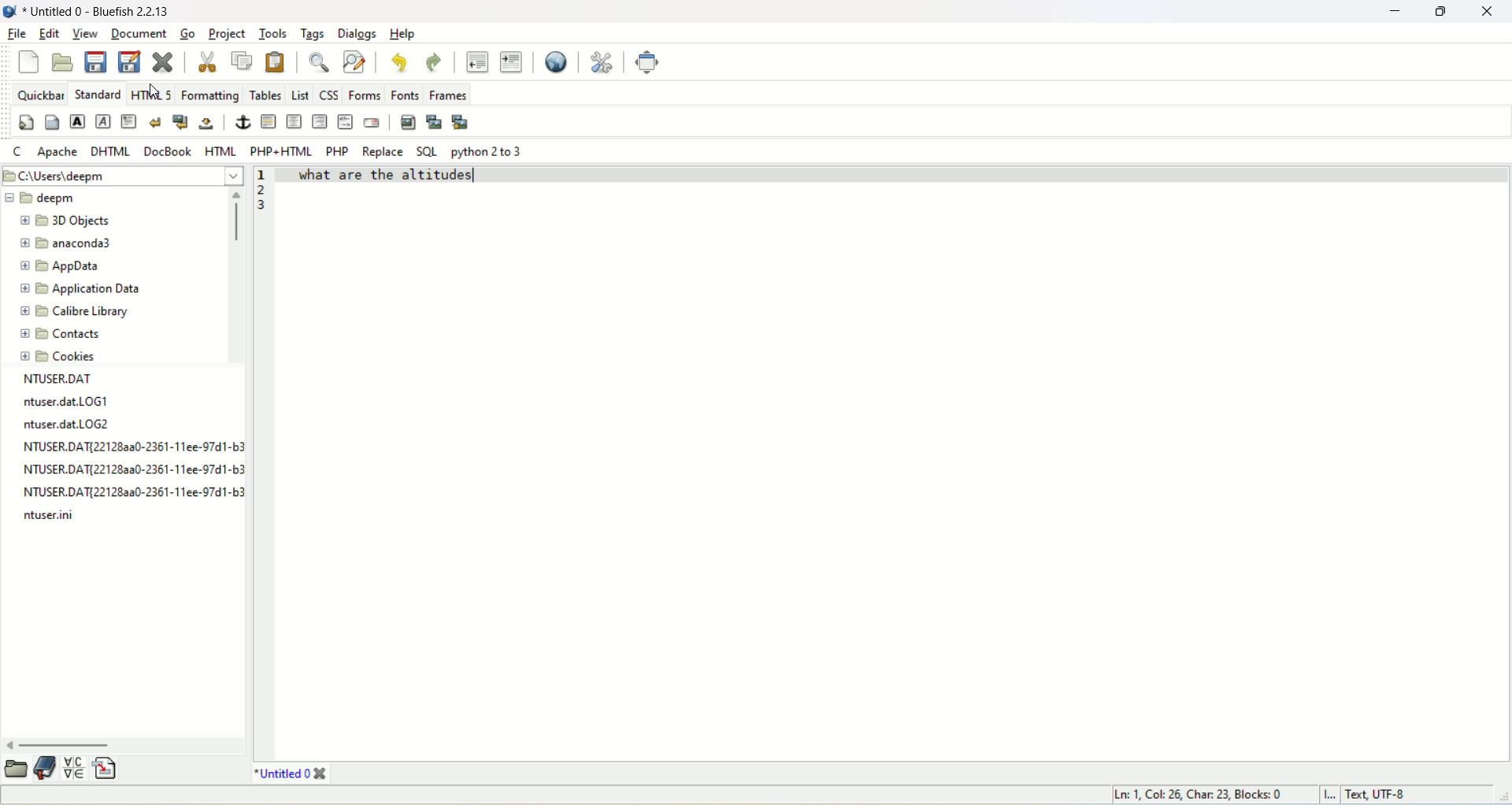 The height and width of the screenshot is (805, 1512). I want to click on view, so click(84, 32).